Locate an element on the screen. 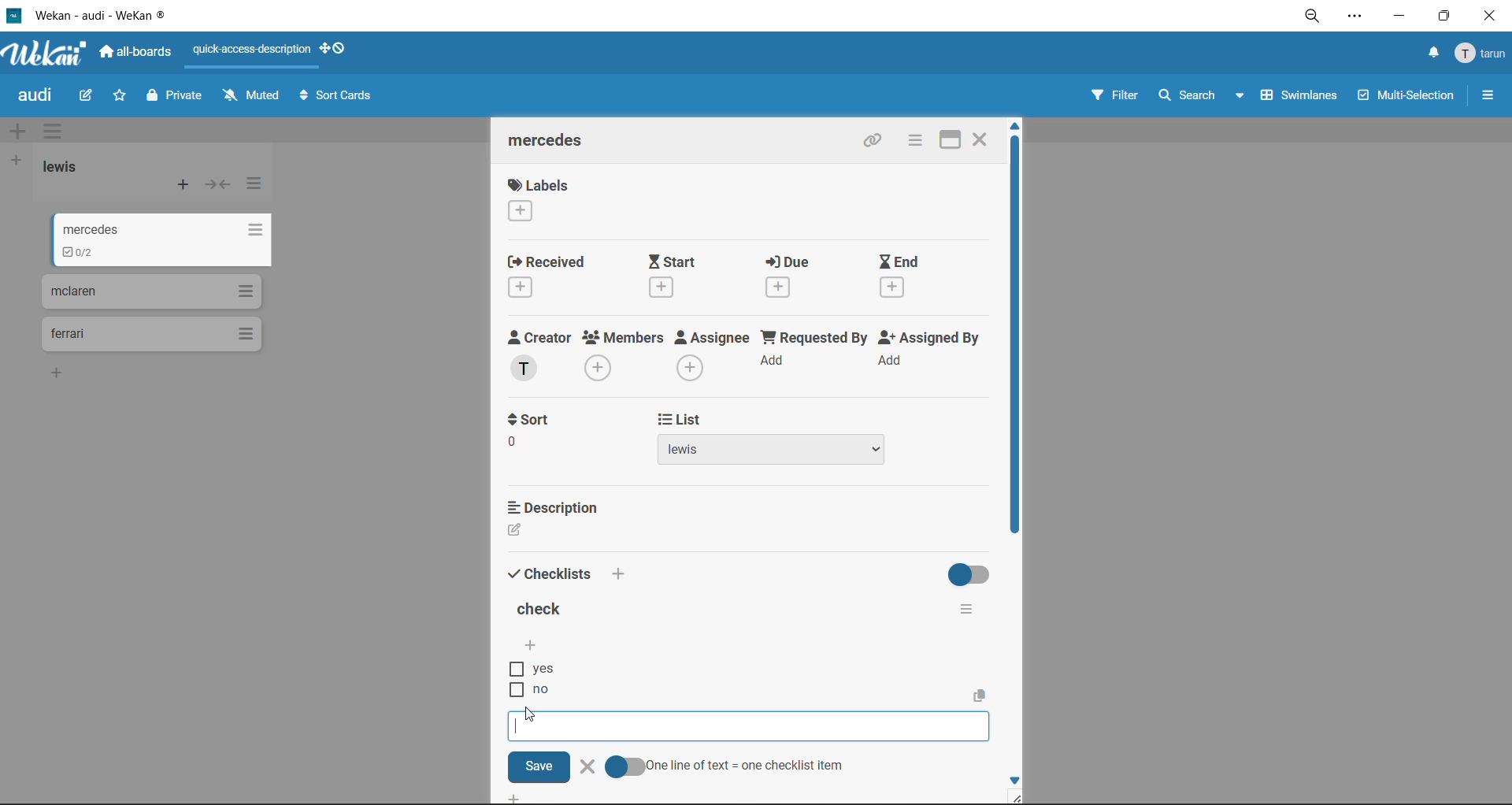  list actions is located at coordinates (246, 333).